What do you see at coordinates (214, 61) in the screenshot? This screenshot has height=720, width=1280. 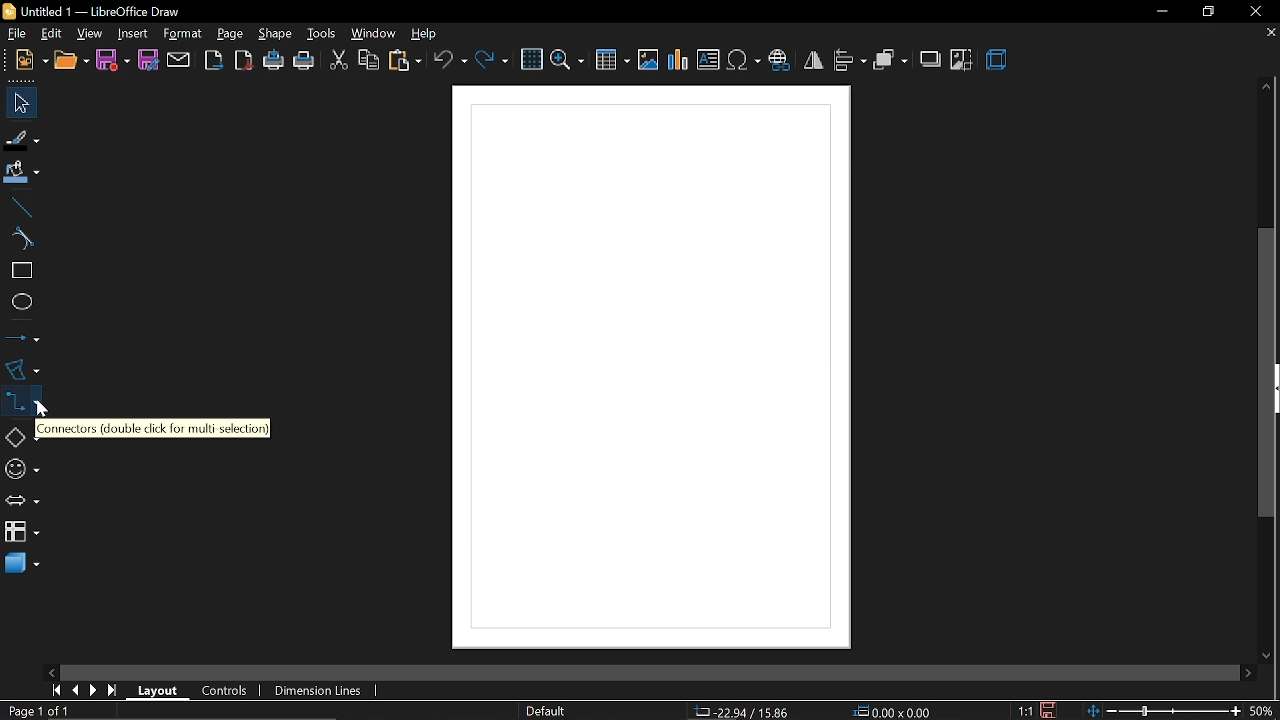 I see `export` at bounding box center [214, 61].